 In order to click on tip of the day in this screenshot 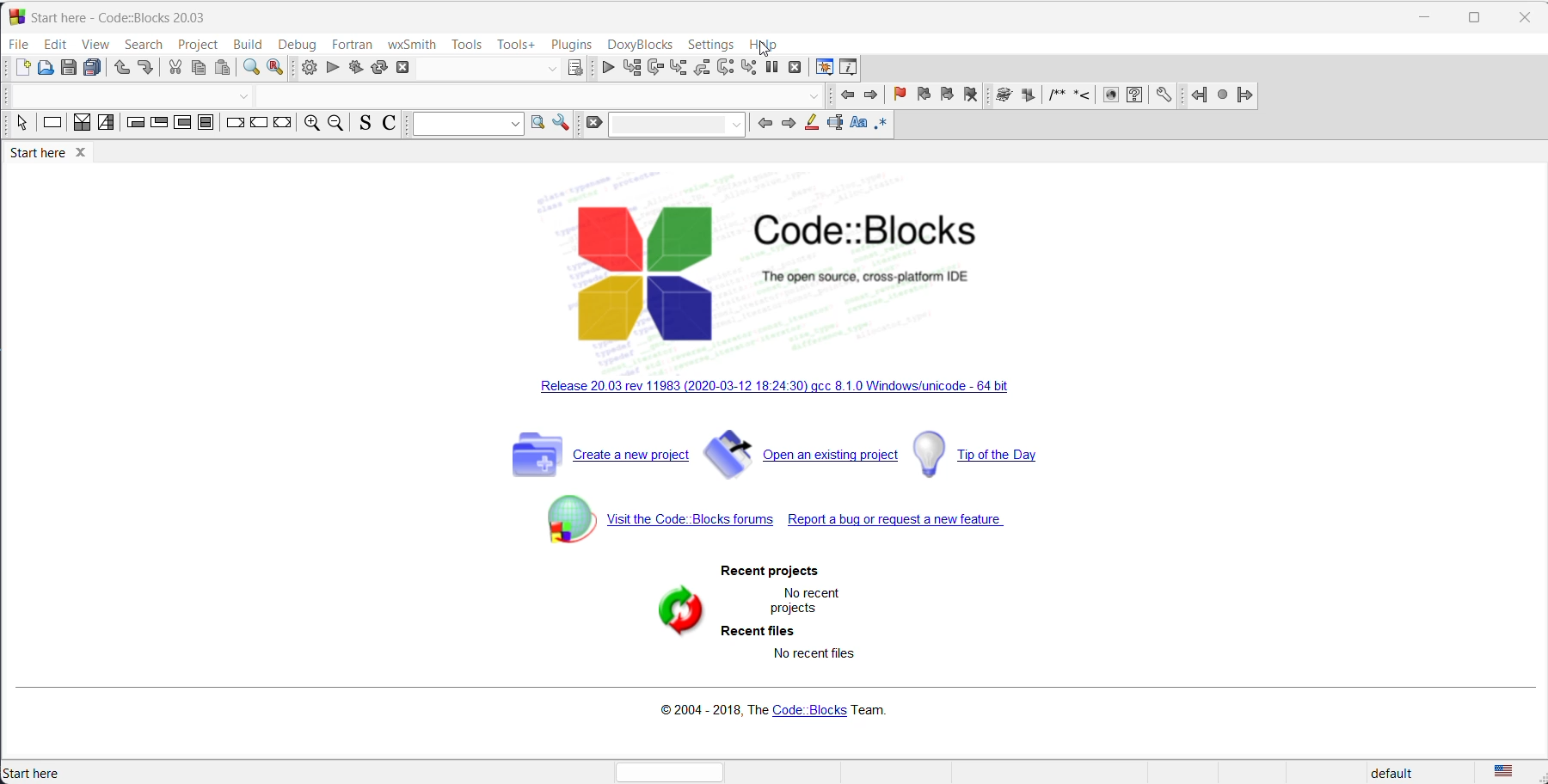, I will do `click(981, 454)`.